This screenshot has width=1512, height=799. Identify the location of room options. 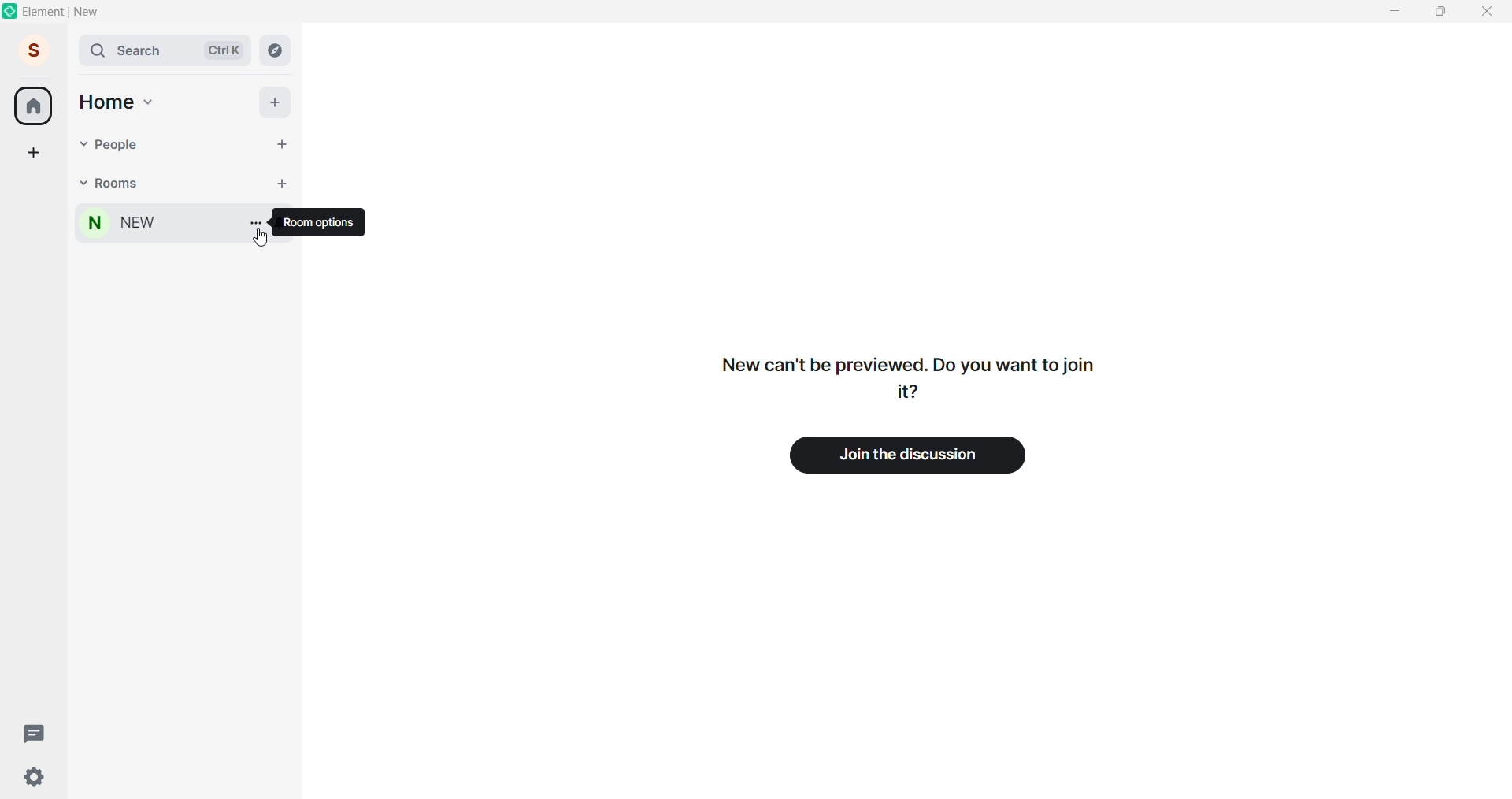
(254, 222).